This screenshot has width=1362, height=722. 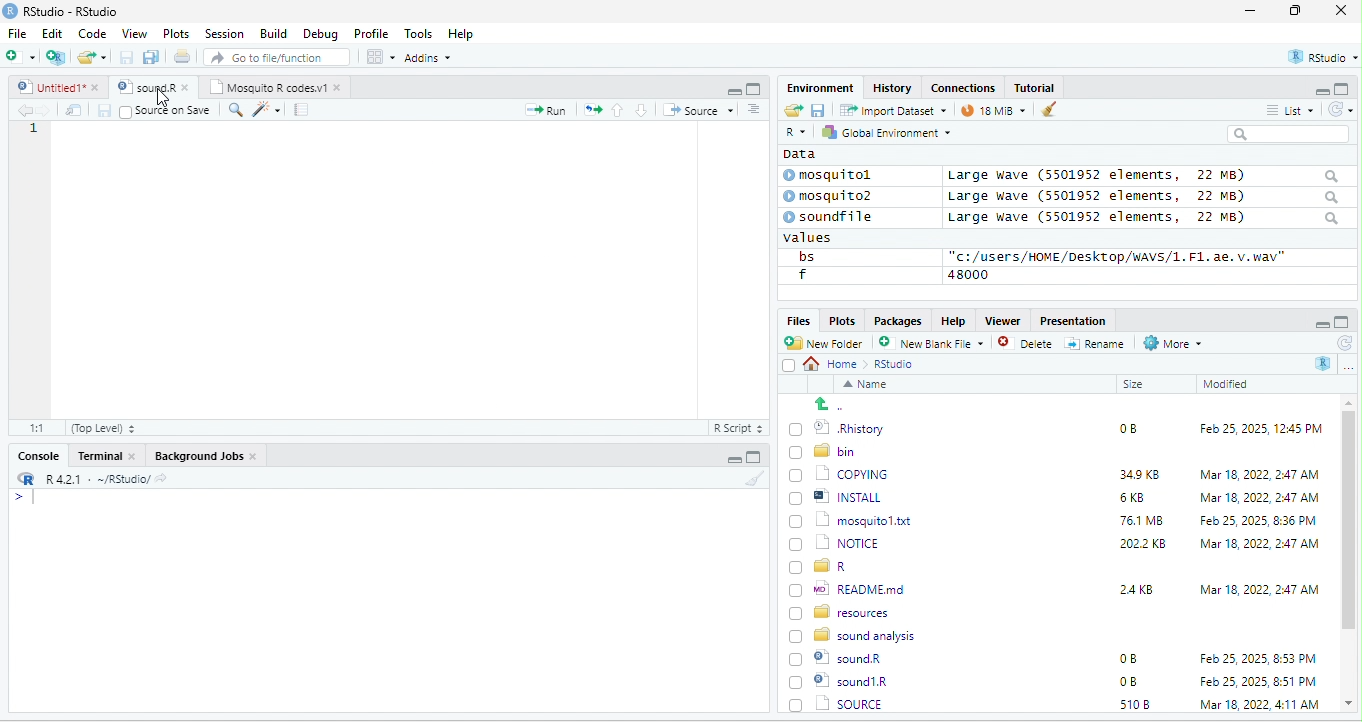 I want to click on 76.1 MB, so click(x=1141, y=519).